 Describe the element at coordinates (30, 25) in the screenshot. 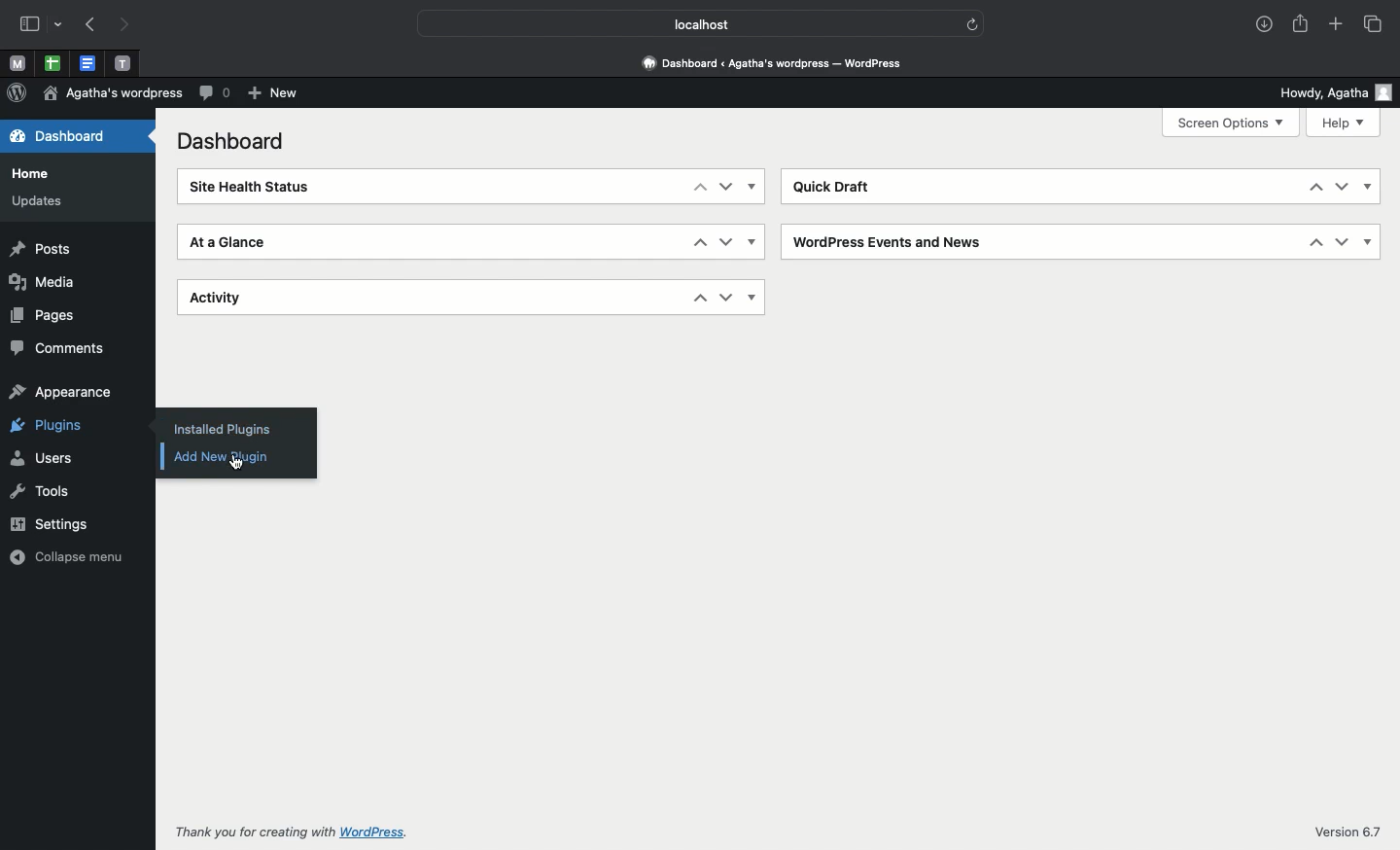

I see `Sidebar` at that location.